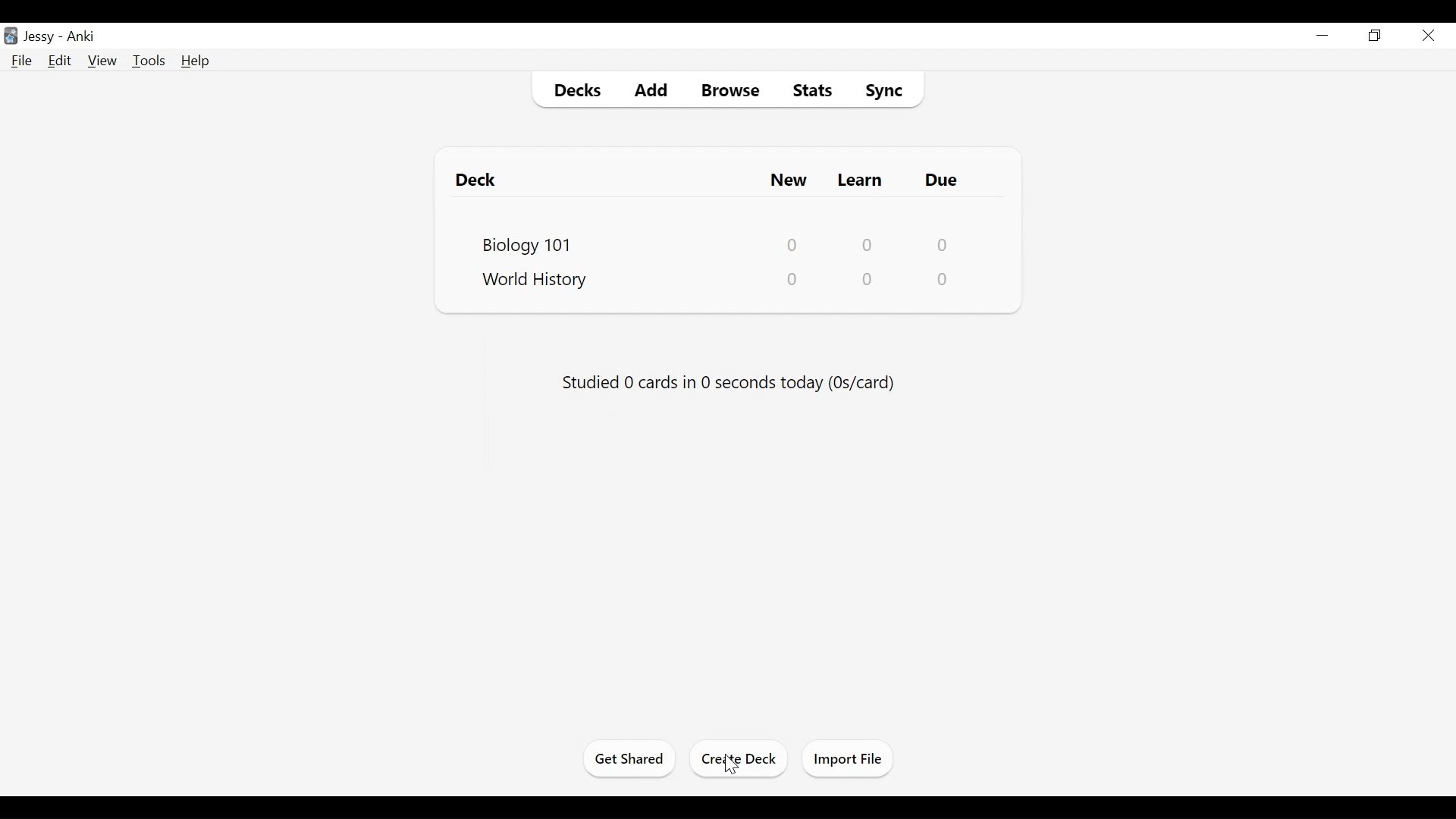 Image resolution: width=1456 pixels, height=819 pixels. Describe the element at coordinates (632, 760) in the screenshot. I see `Get Started` at that location.